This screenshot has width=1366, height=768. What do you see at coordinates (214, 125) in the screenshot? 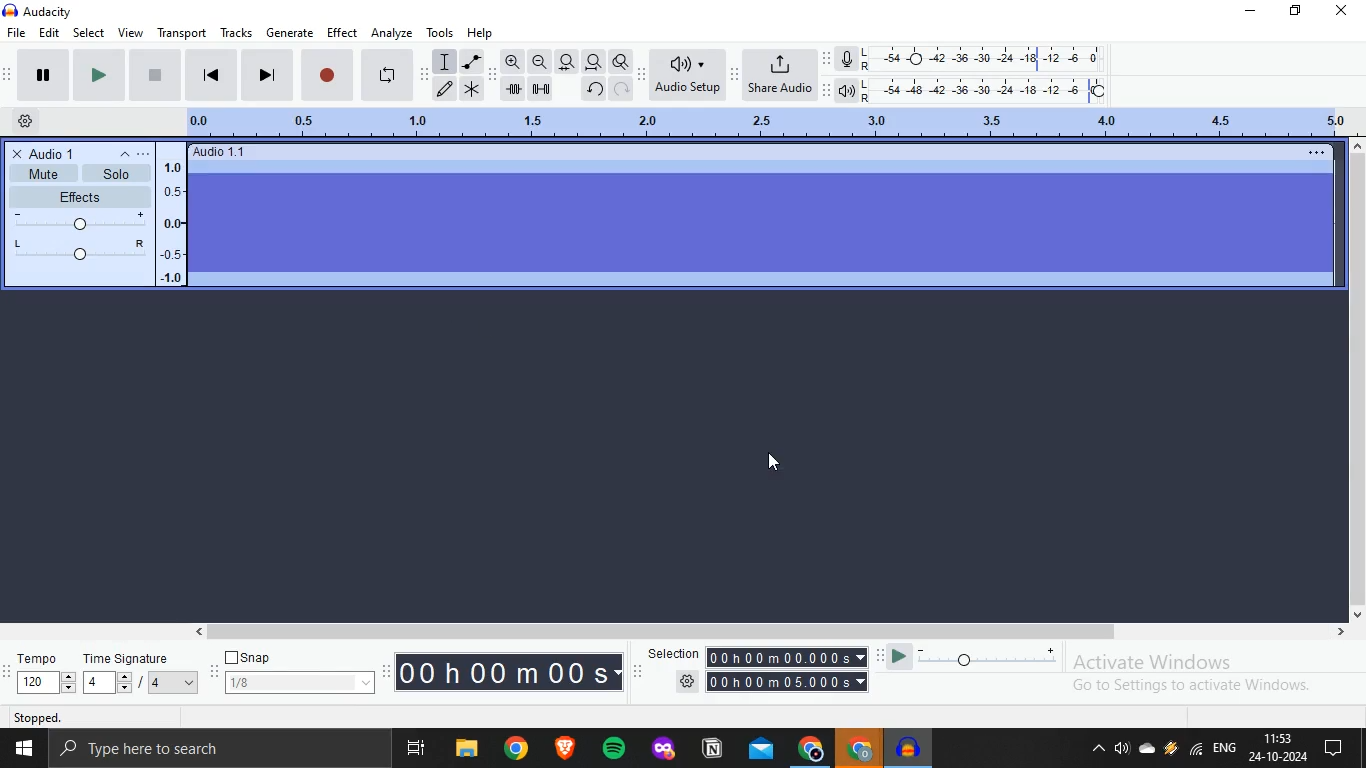
I see `0.0` at bounding box center [214, 125].